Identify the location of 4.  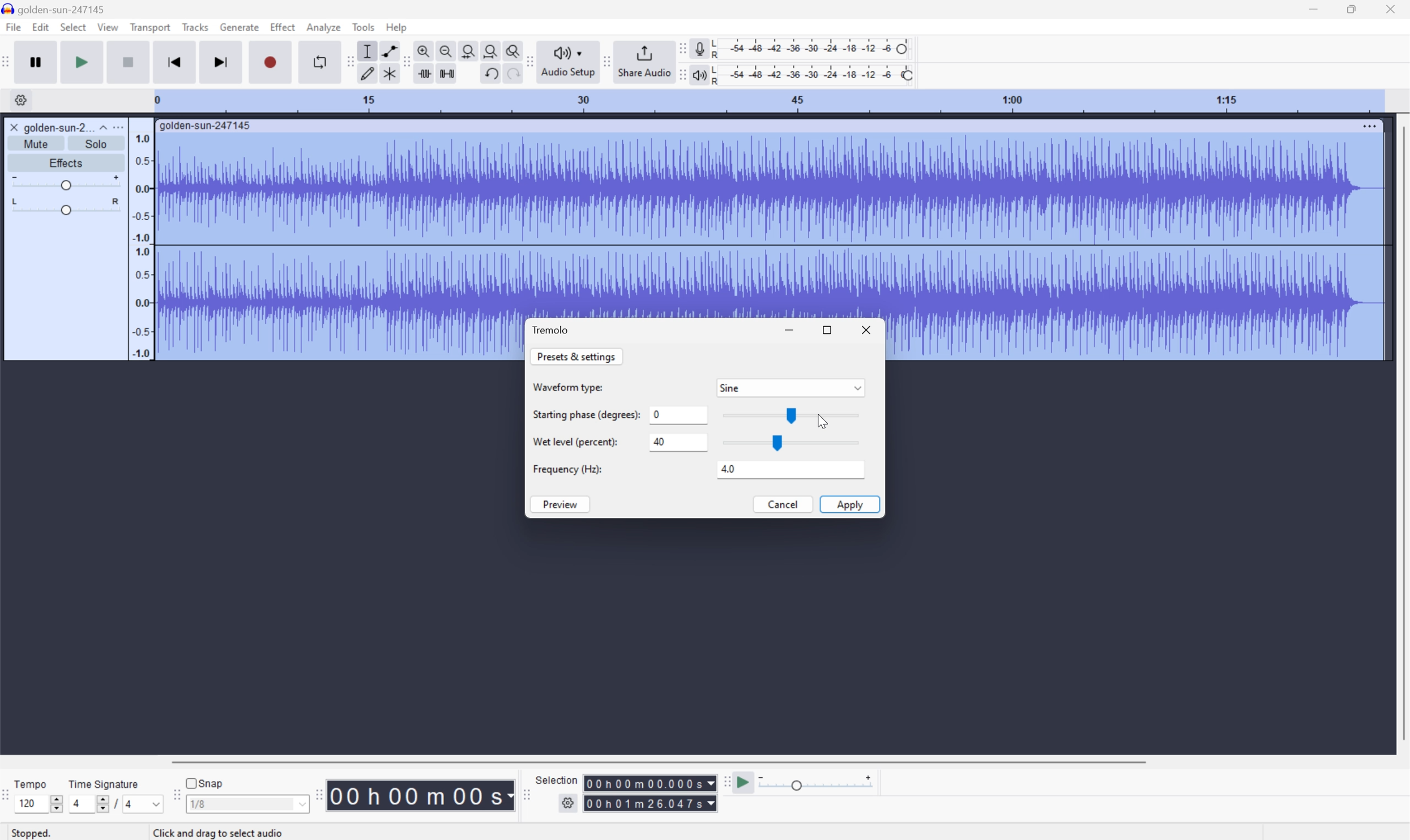
(87, 804).